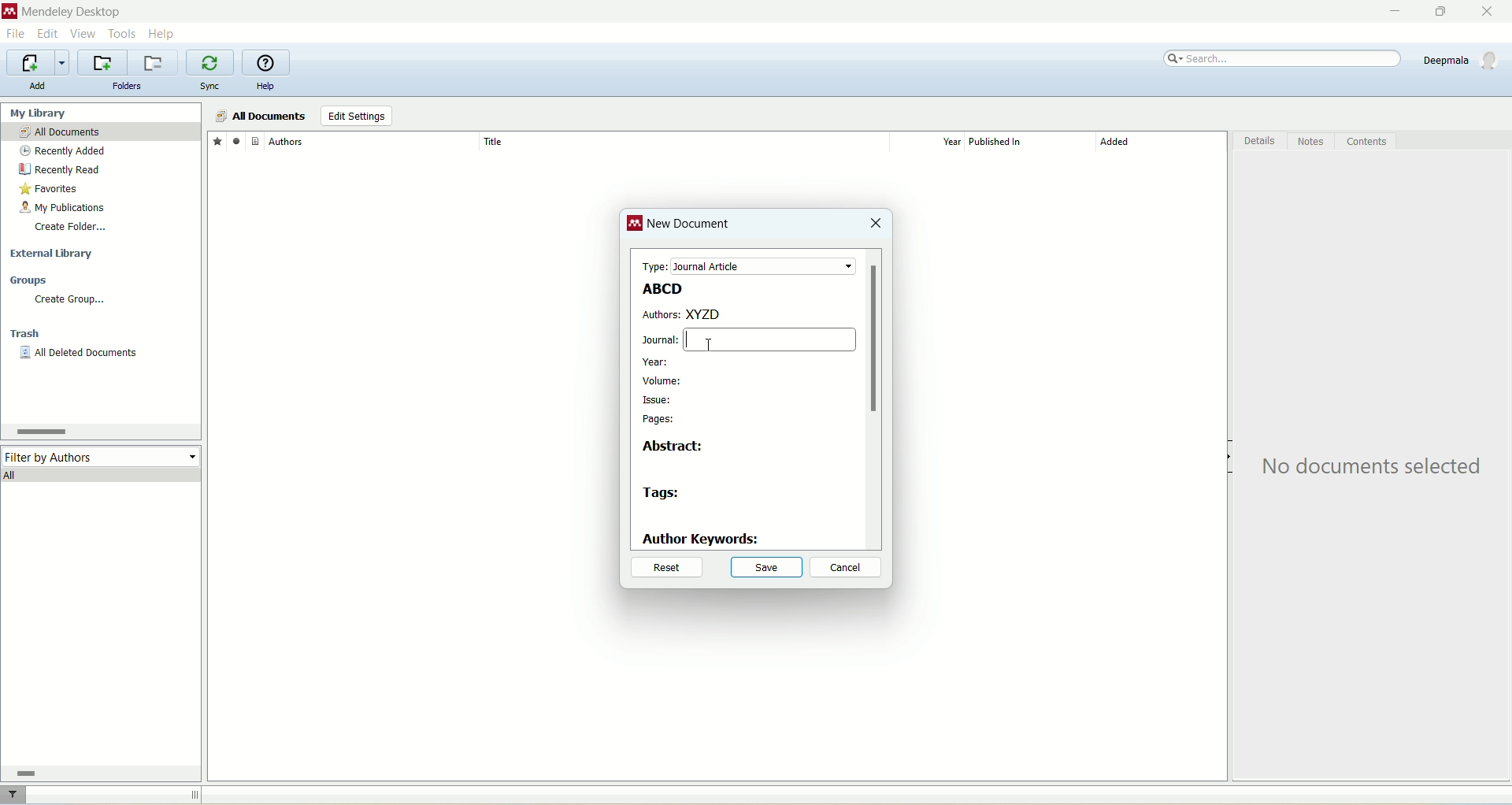 This screenshot has height=805, width=1512. I want to click on authors, so click(660, 315).